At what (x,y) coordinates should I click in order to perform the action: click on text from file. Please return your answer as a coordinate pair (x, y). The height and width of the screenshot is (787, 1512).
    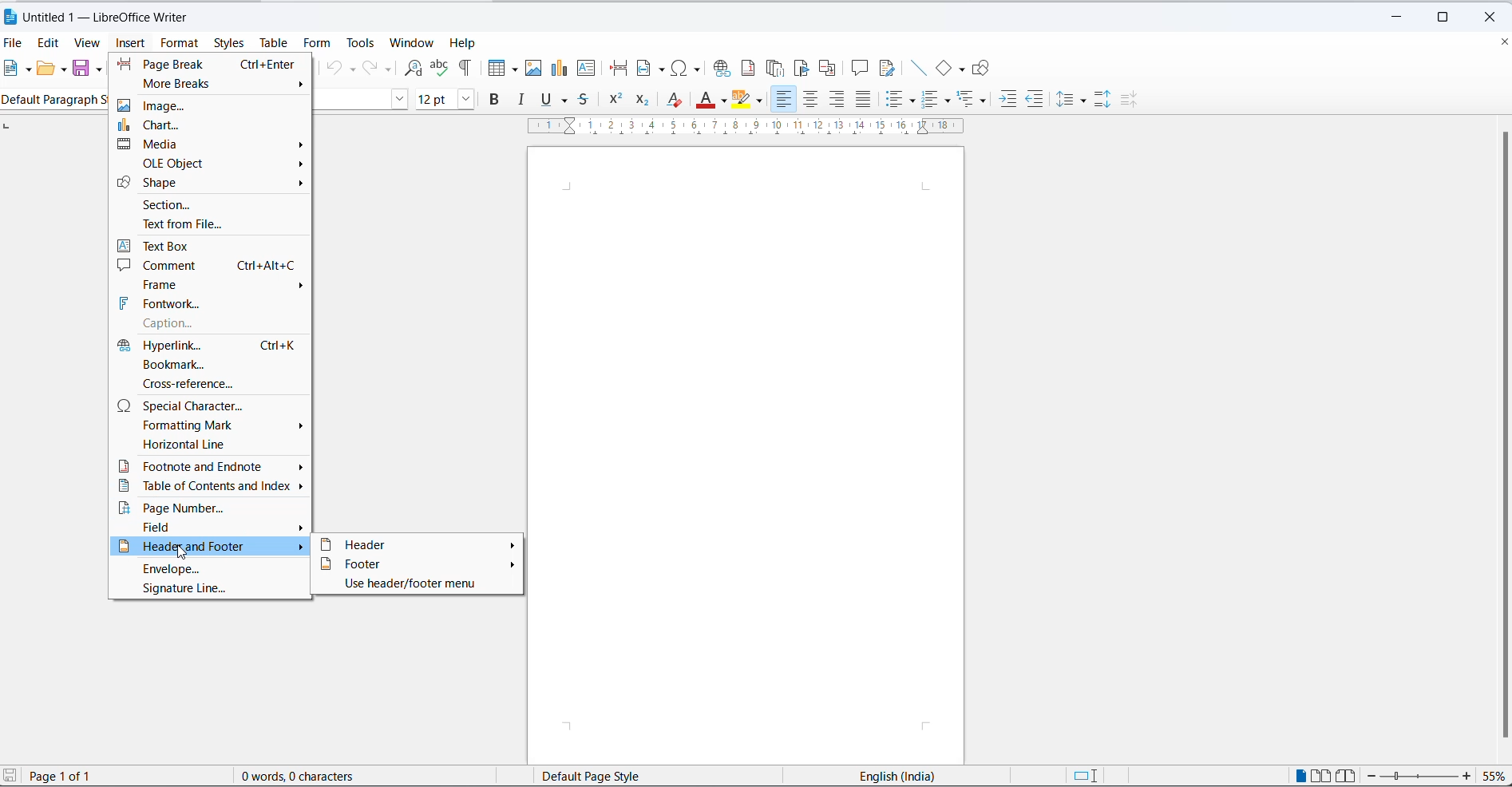
    Looking at the image, I should click on (212, 225).